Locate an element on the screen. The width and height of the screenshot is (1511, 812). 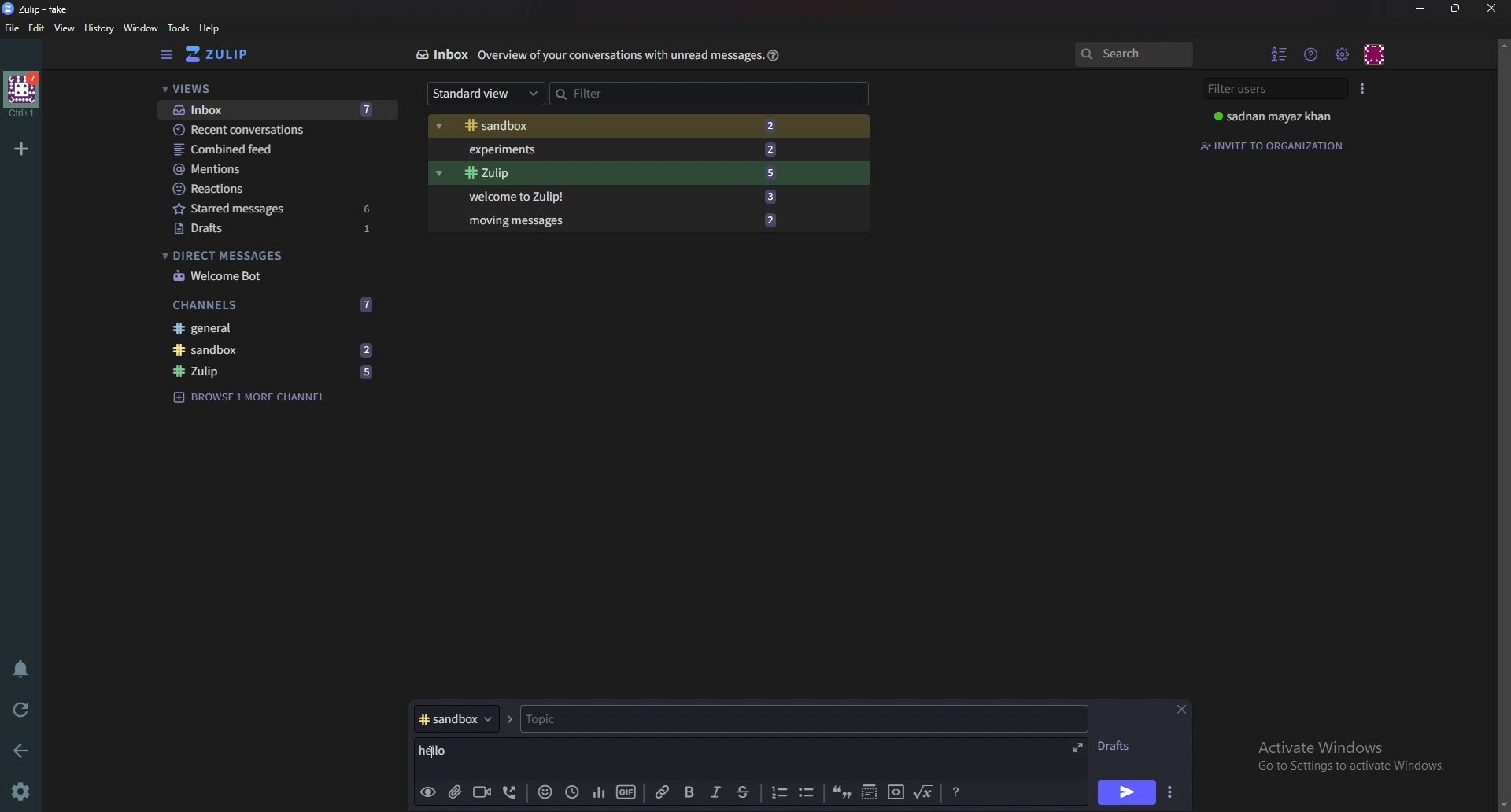
Welcome to Zulip! 3 is located at coordinates (616, 197).